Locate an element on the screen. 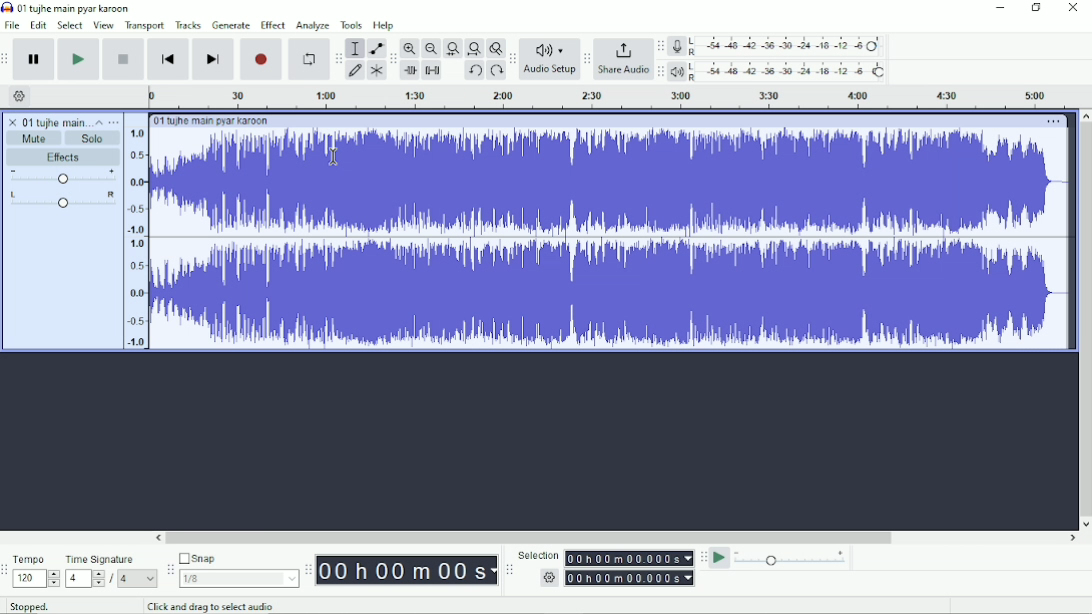  Open menu is located at coordinates (115, 121).